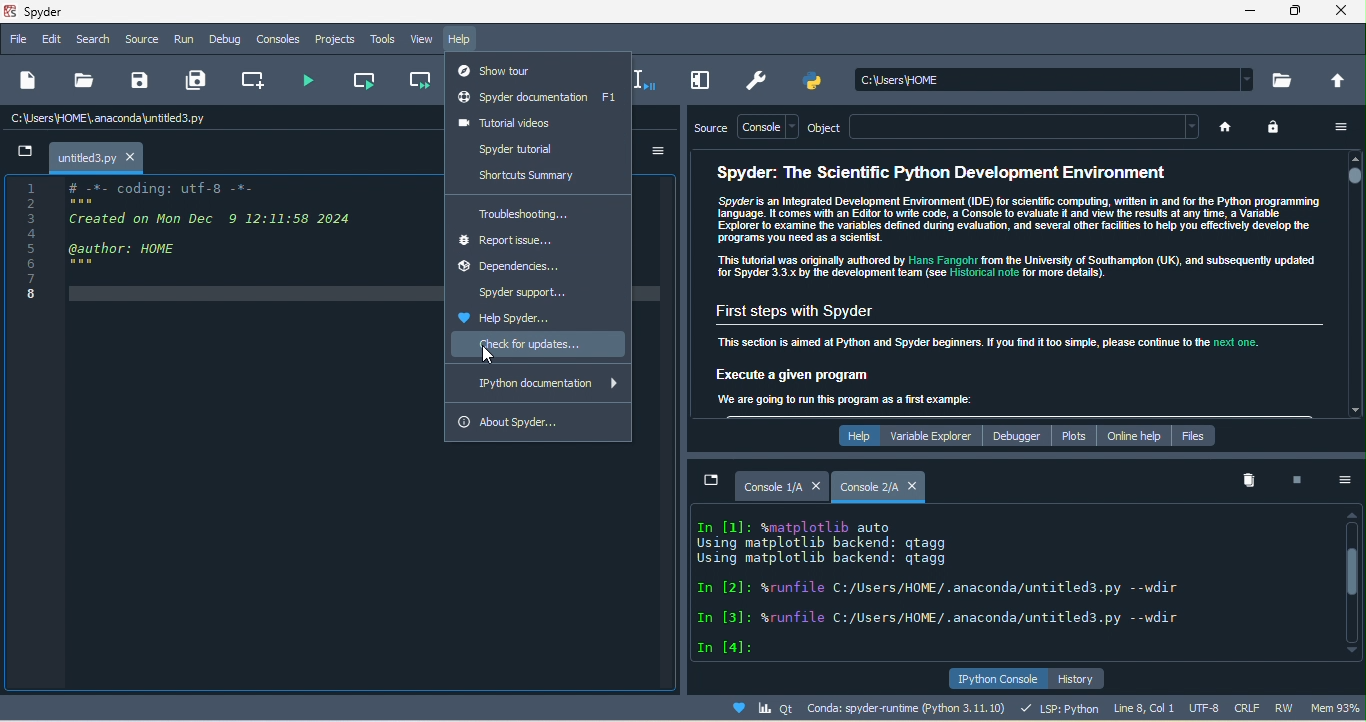  I want to click on , so click(34, 246).